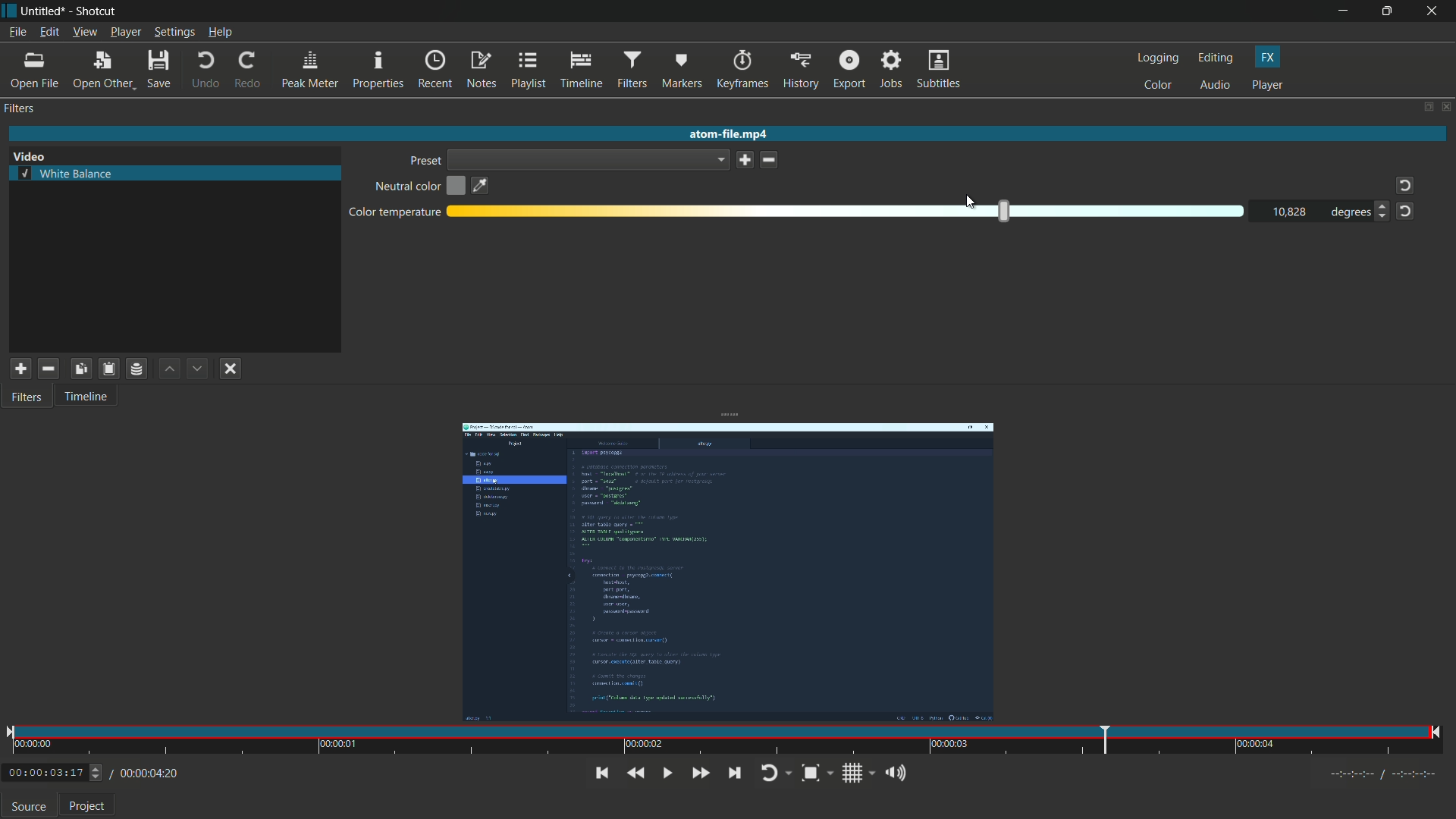 This screenshot has height=819, width=1456. Describe the element at coordinates (589, 159) in the screenshot. I see `dropdown` at that location.